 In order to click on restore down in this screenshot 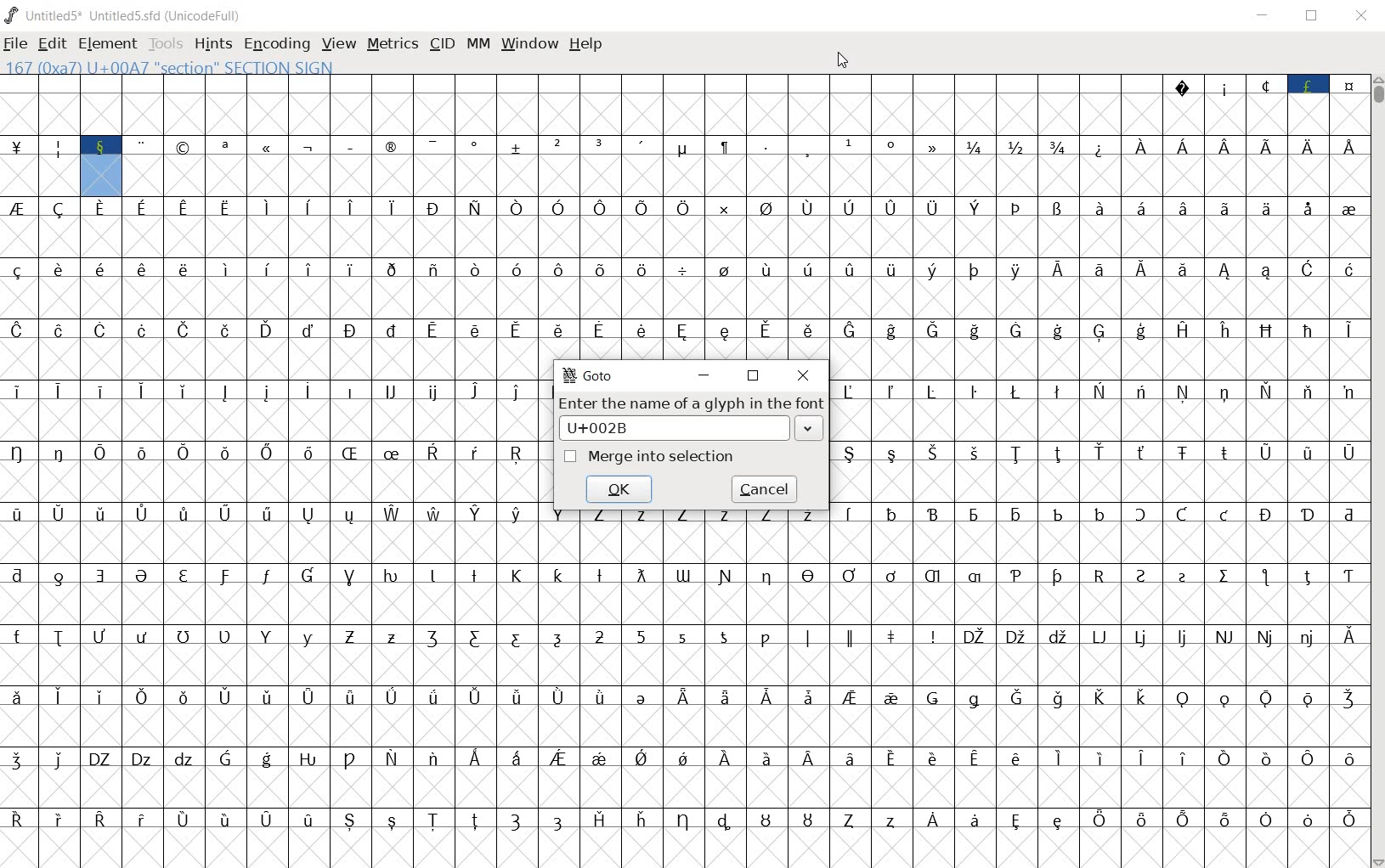, I will do `click(754, 375)`.